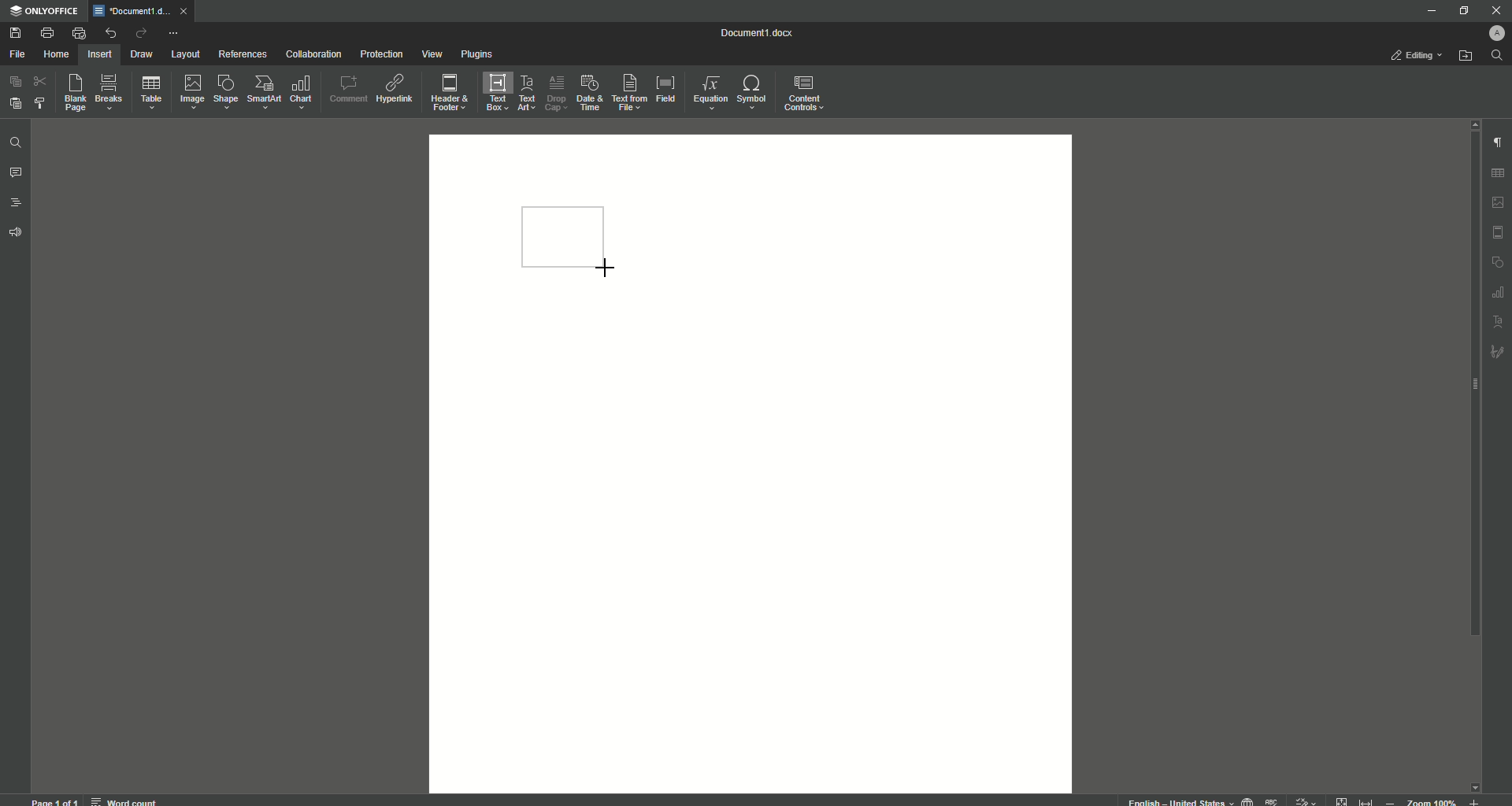 The image size is (1512, 806). I want to click on Open From File, so click(1466, 56).